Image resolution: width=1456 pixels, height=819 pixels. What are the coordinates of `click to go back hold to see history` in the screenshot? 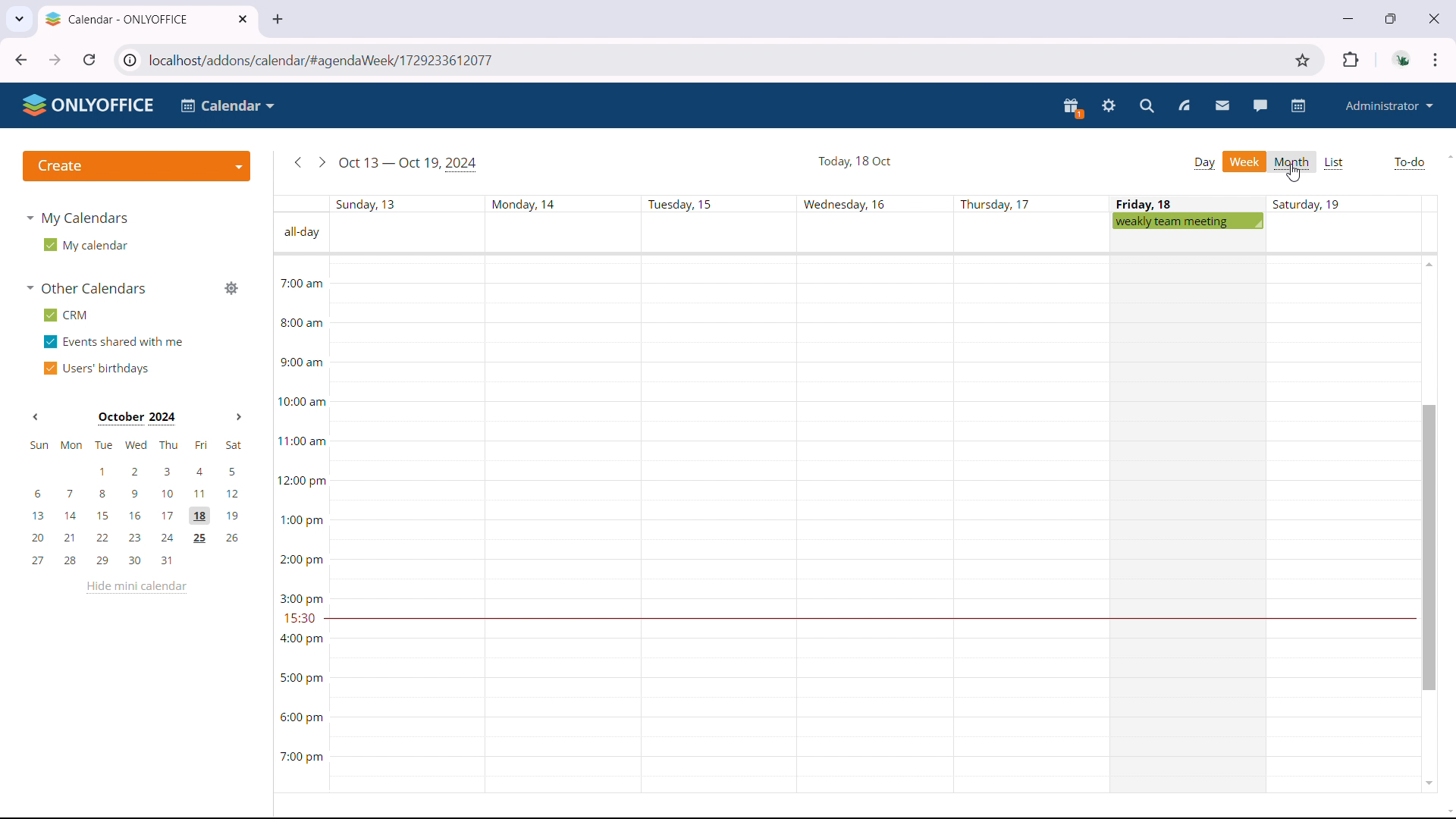 It's located at (22, 60).